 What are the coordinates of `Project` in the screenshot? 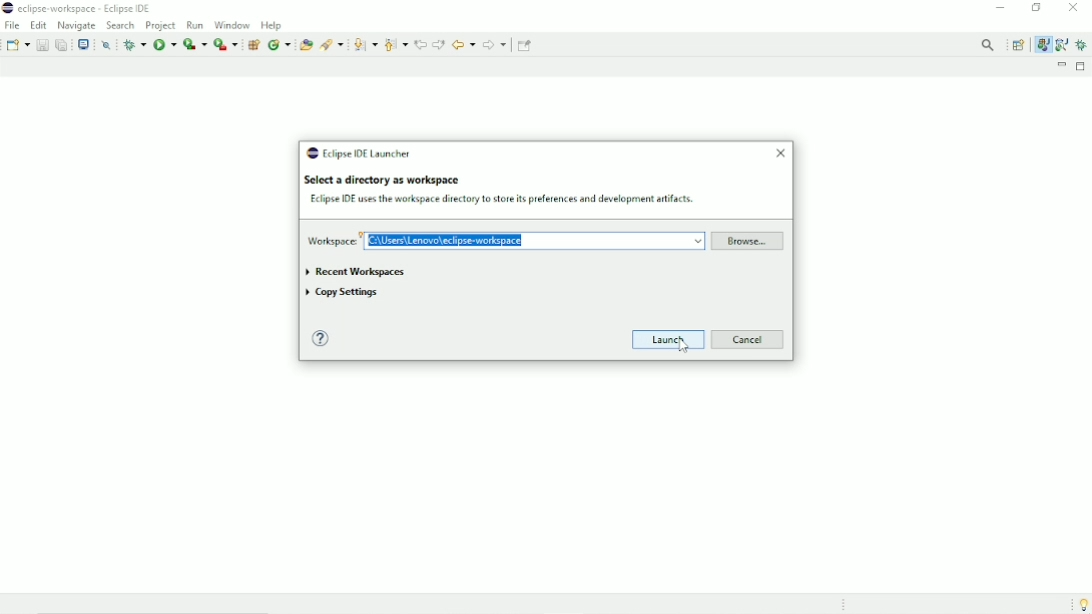 It's located at (161, 26).